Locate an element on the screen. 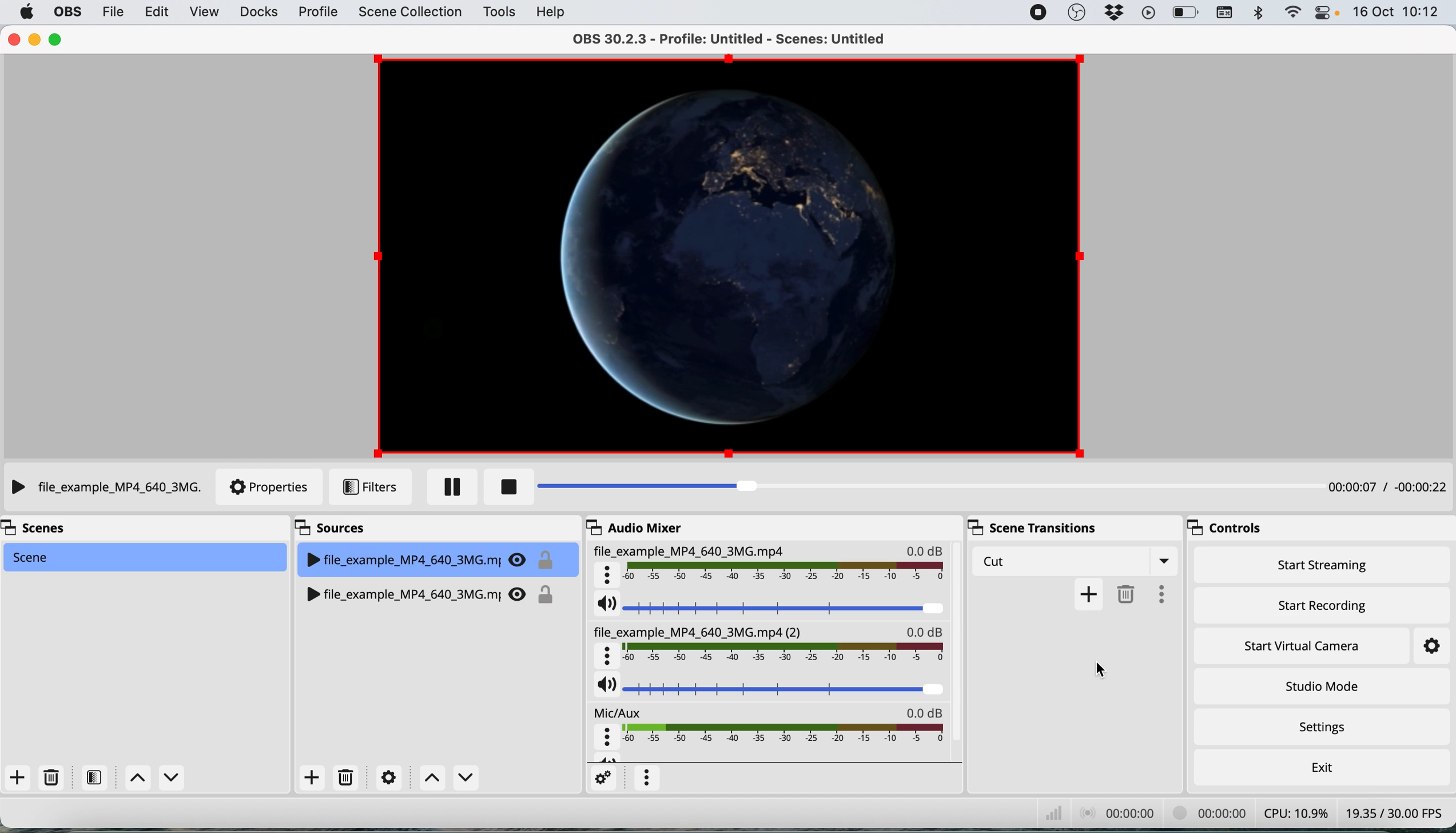 The height and width of the screenshot is (833, 1456). studio mode is located at coordinates (1323, 687).